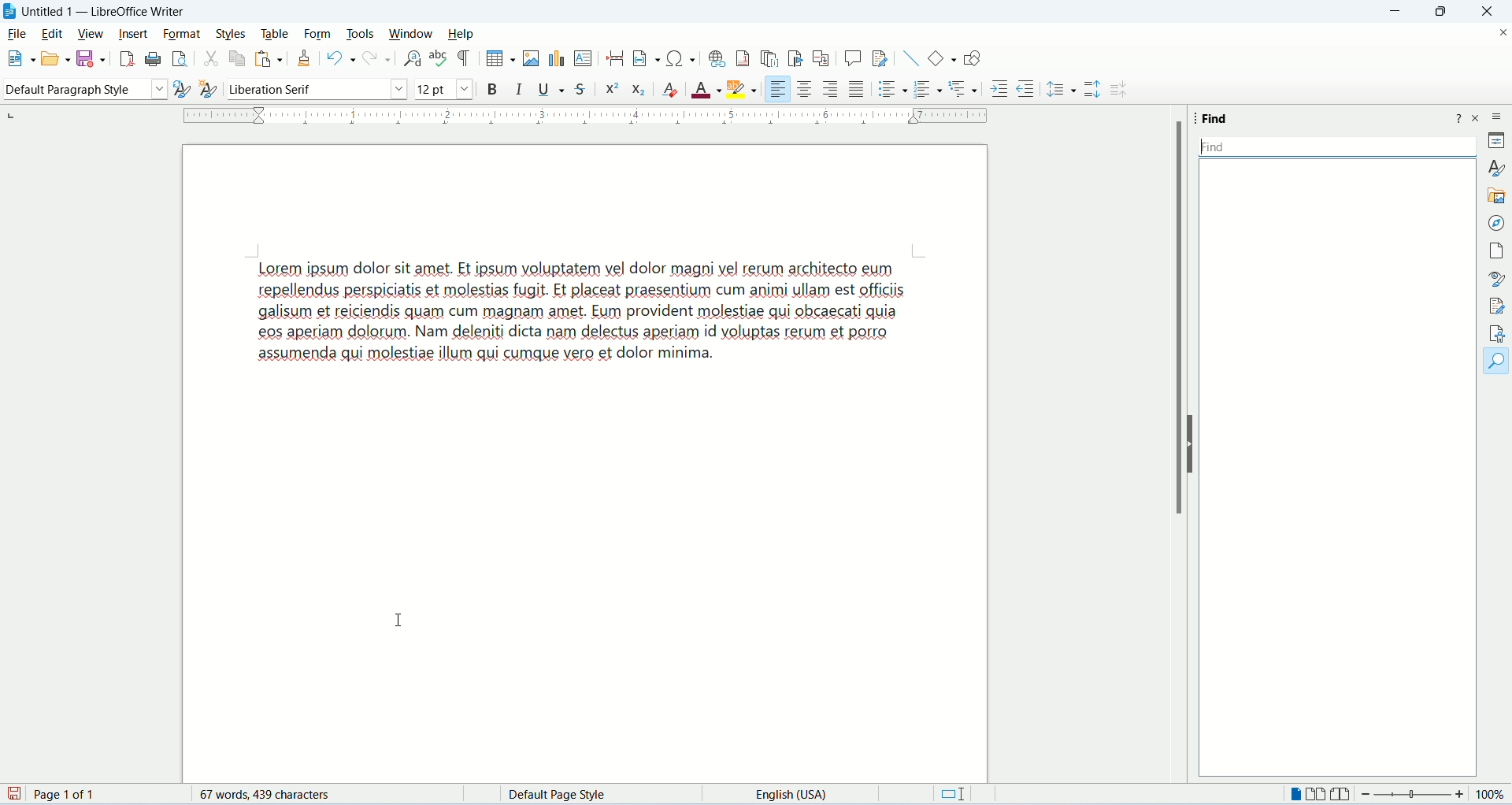  Describe the element at coordinates (669, 90) in the screenshot. I see `clear formatting` at that location.